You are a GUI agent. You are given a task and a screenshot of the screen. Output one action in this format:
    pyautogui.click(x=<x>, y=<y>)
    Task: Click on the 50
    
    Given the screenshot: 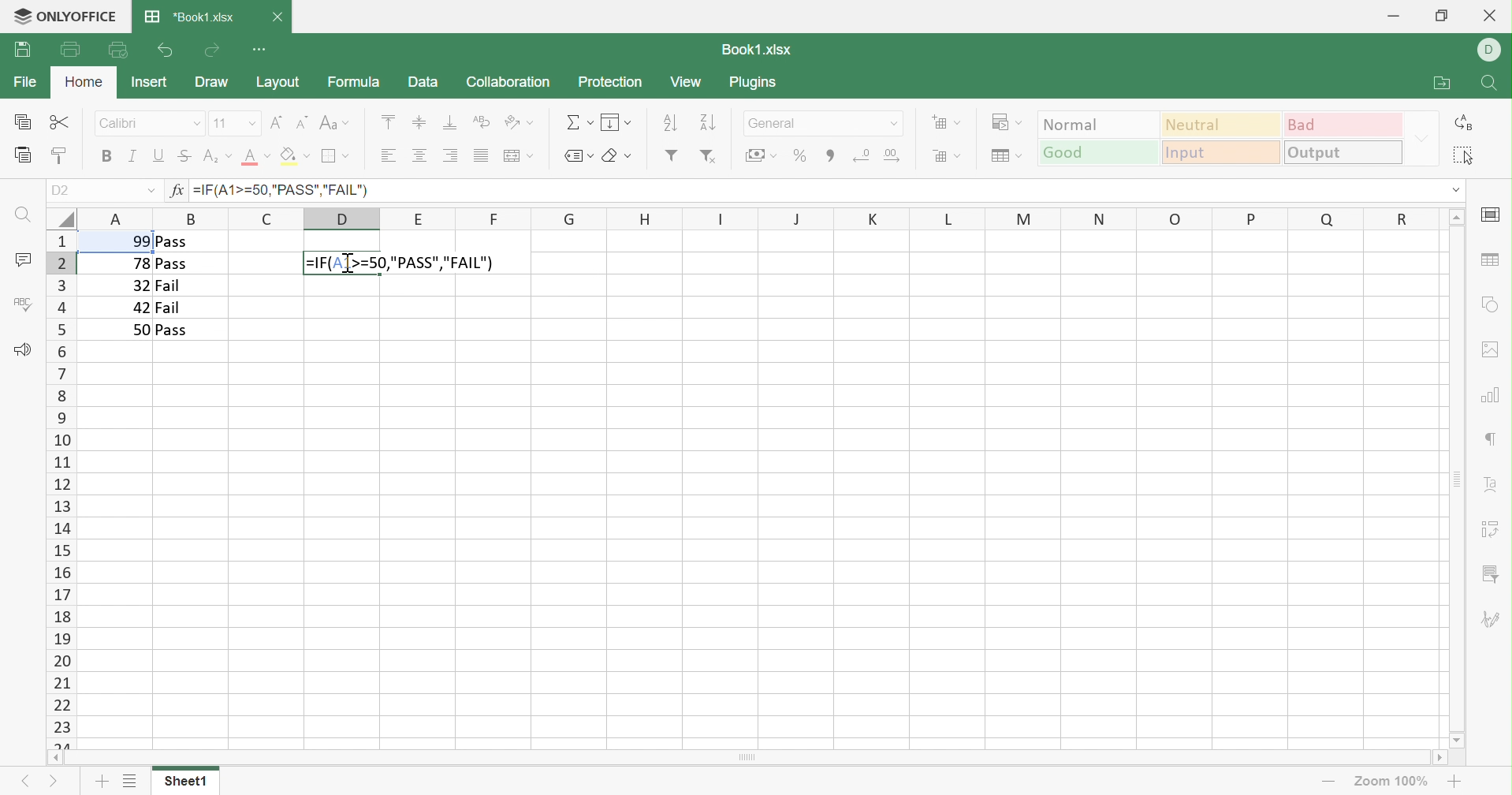 What is the action you would take?
    pyautogui.click(x=139, y=330)
    